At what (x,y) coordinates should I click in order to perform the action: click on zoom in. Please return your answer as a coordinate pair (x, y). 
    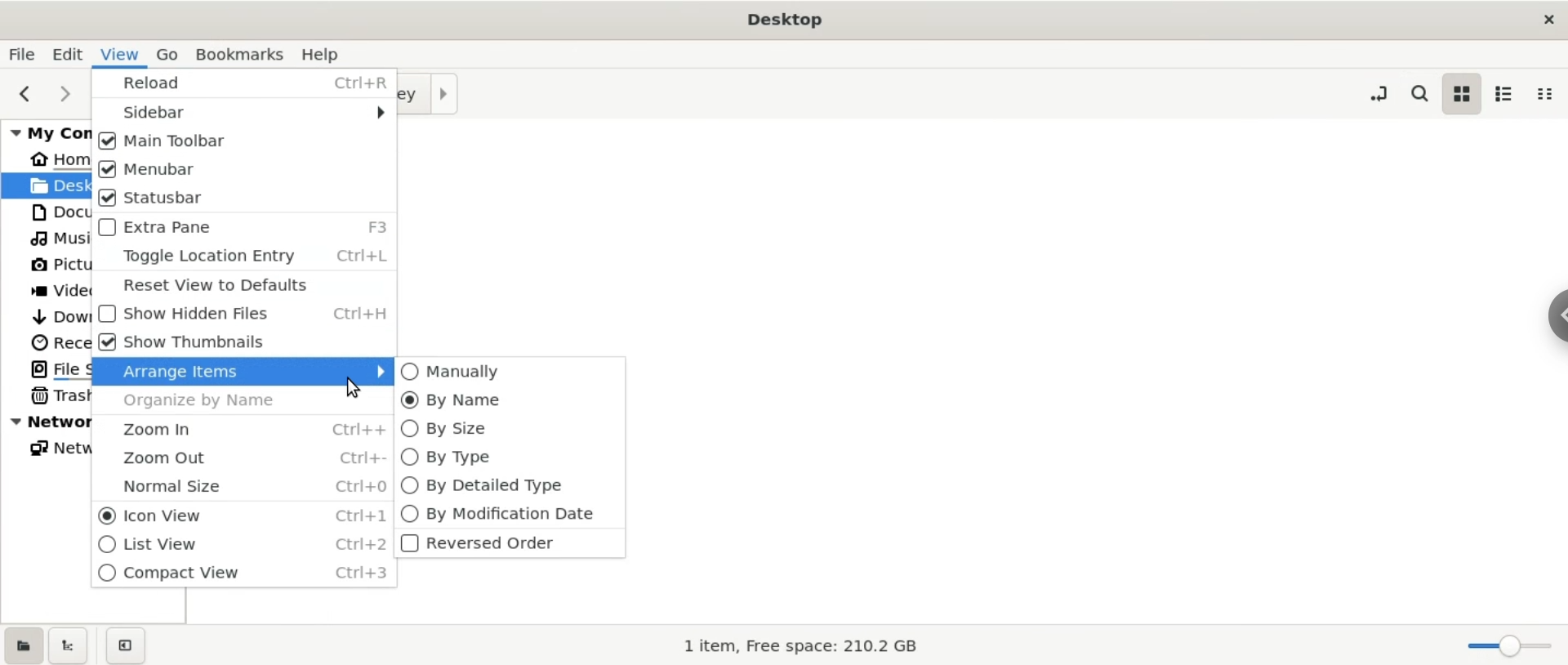
    Looking at the image, I should click on (238, 431).